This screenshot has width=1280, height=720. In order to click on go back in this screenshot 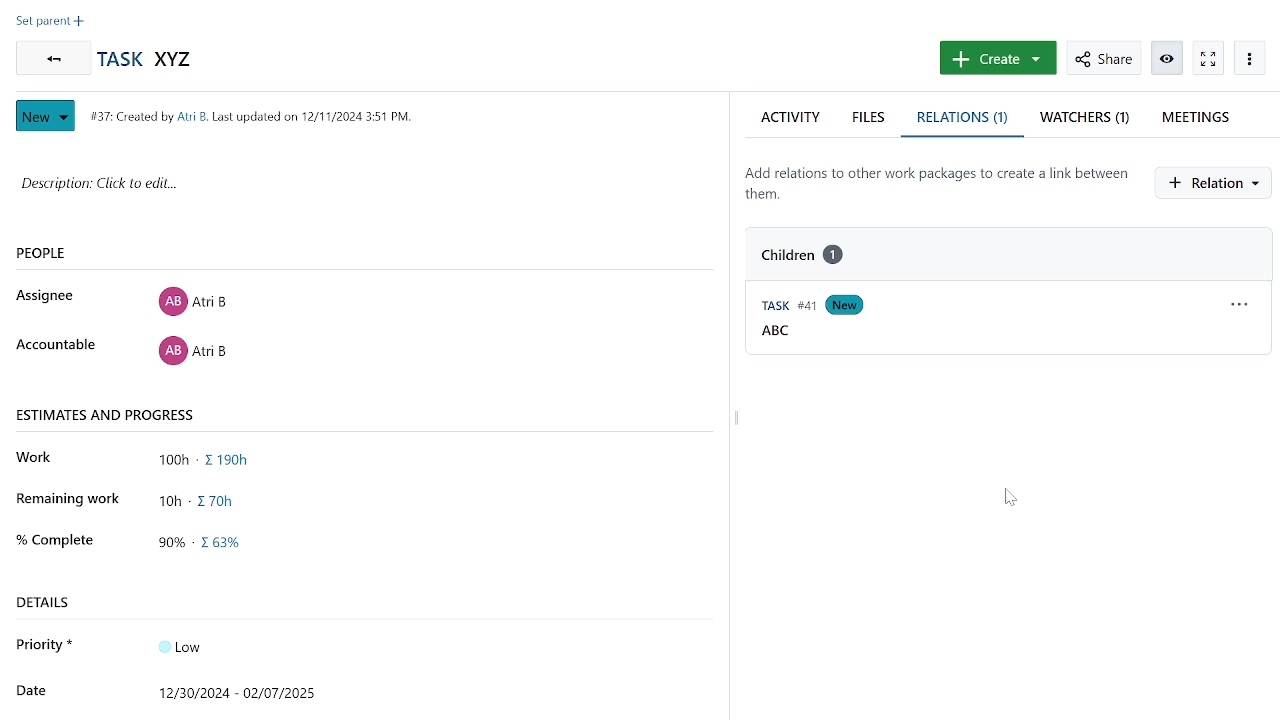, I will do `click(50, 58)`.